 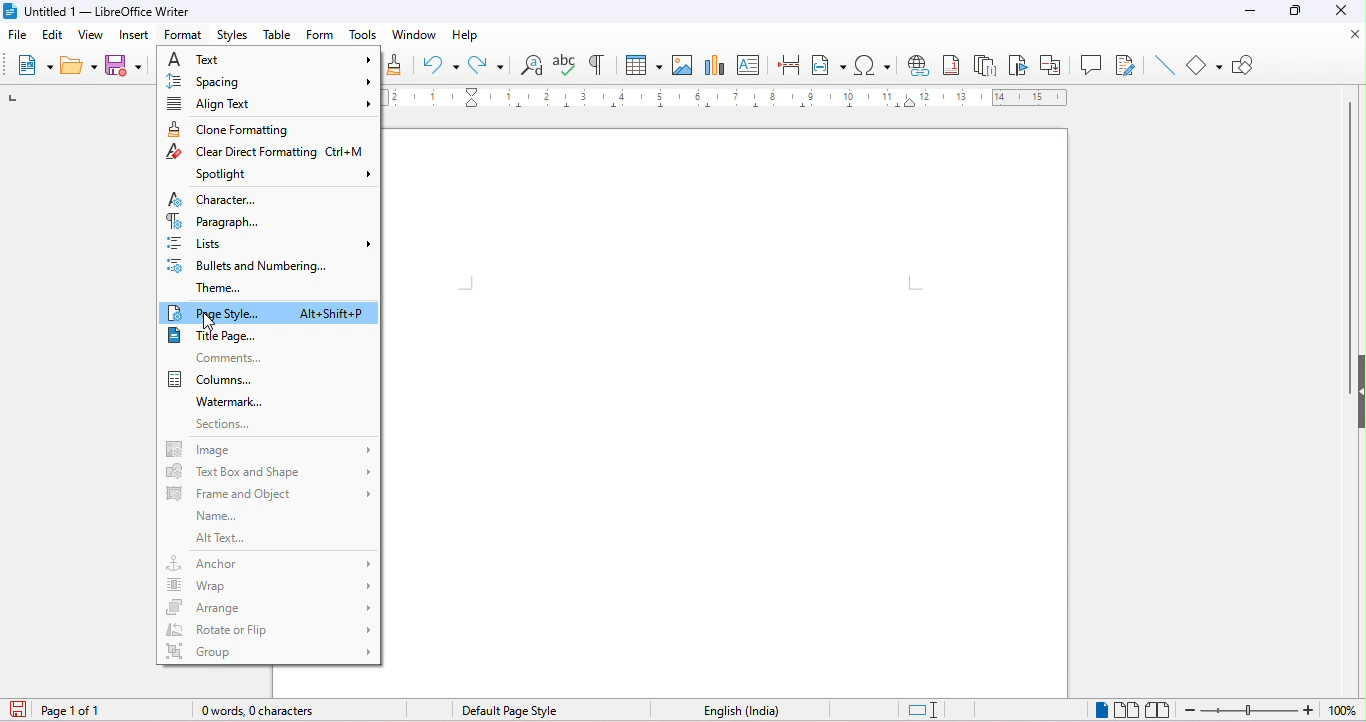 What do you see at coordinates (413, 35) in the screenshot?
I see `window` at bounding box center [413, 35].